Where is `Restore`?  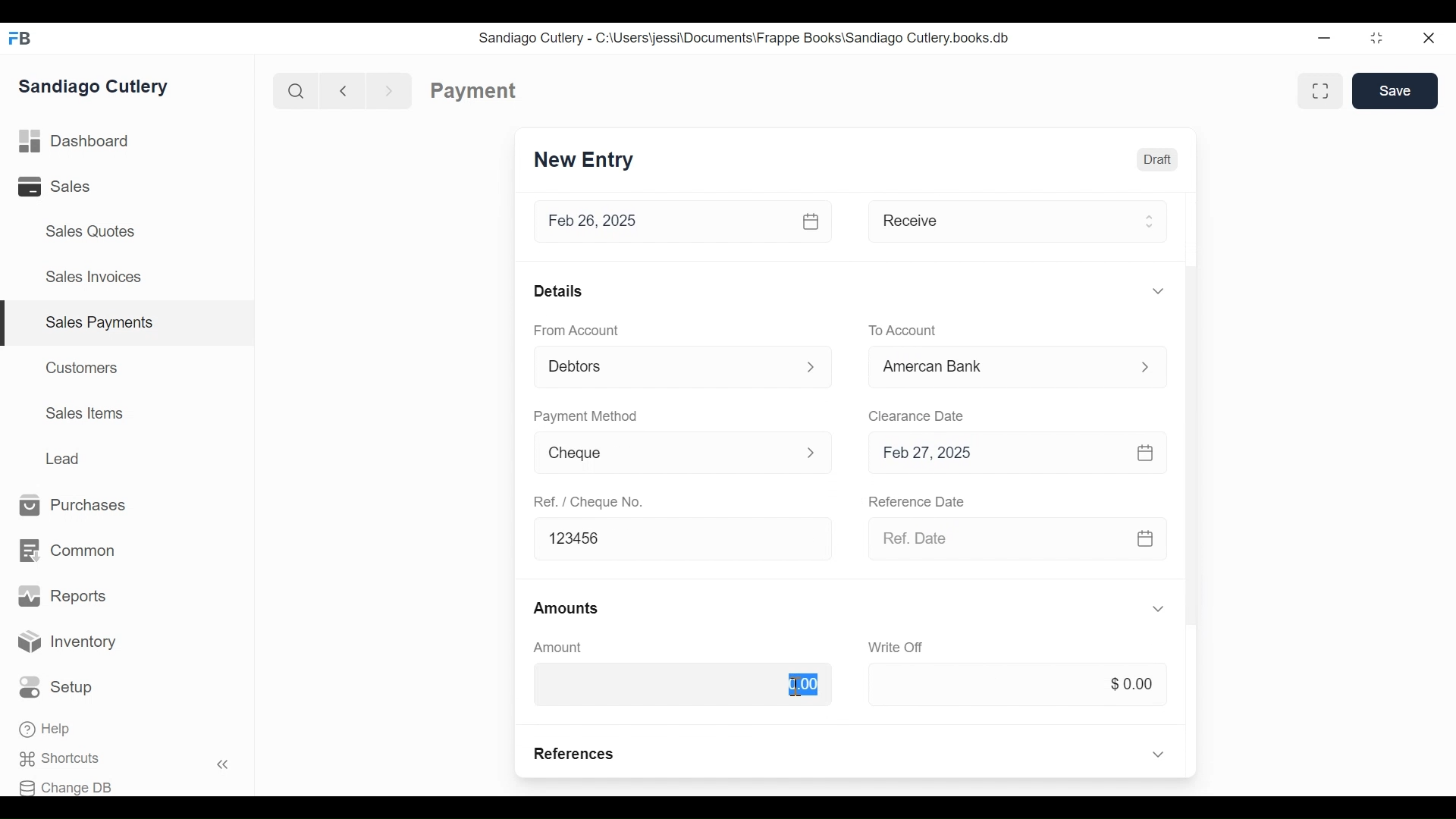
Restore is located at coordinates (1376, 39).